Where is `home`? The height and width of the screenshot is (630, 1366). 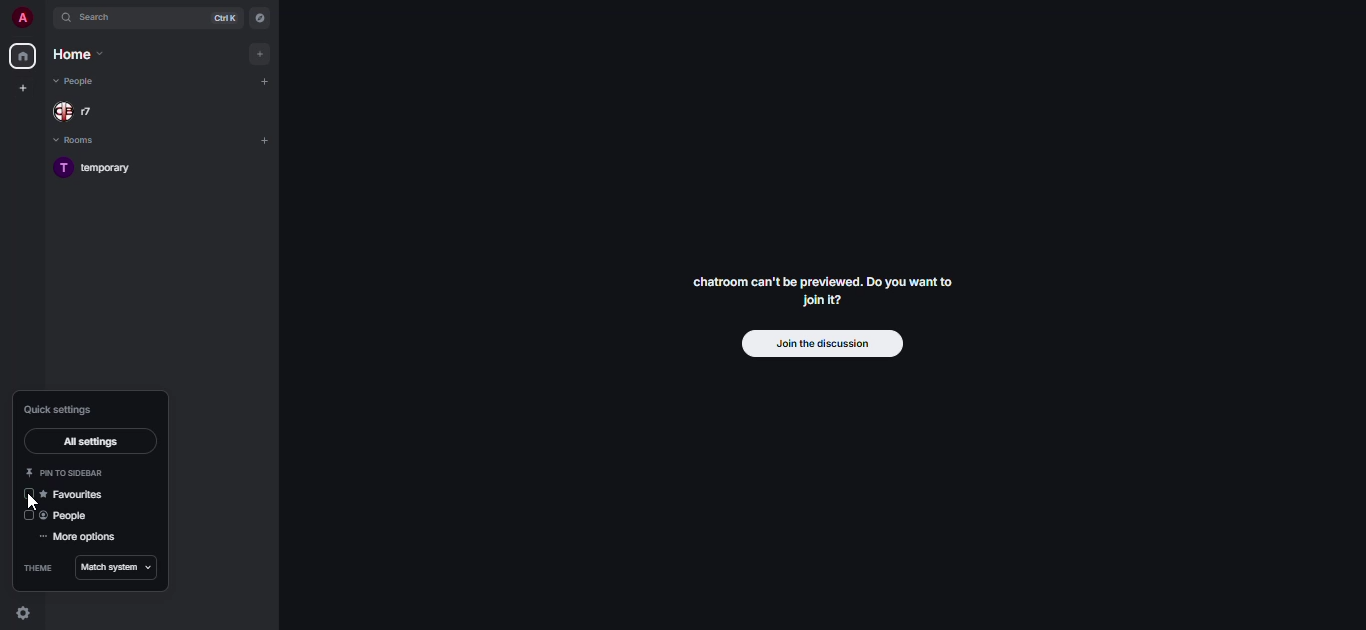
home is located at coordinates (22, 56).